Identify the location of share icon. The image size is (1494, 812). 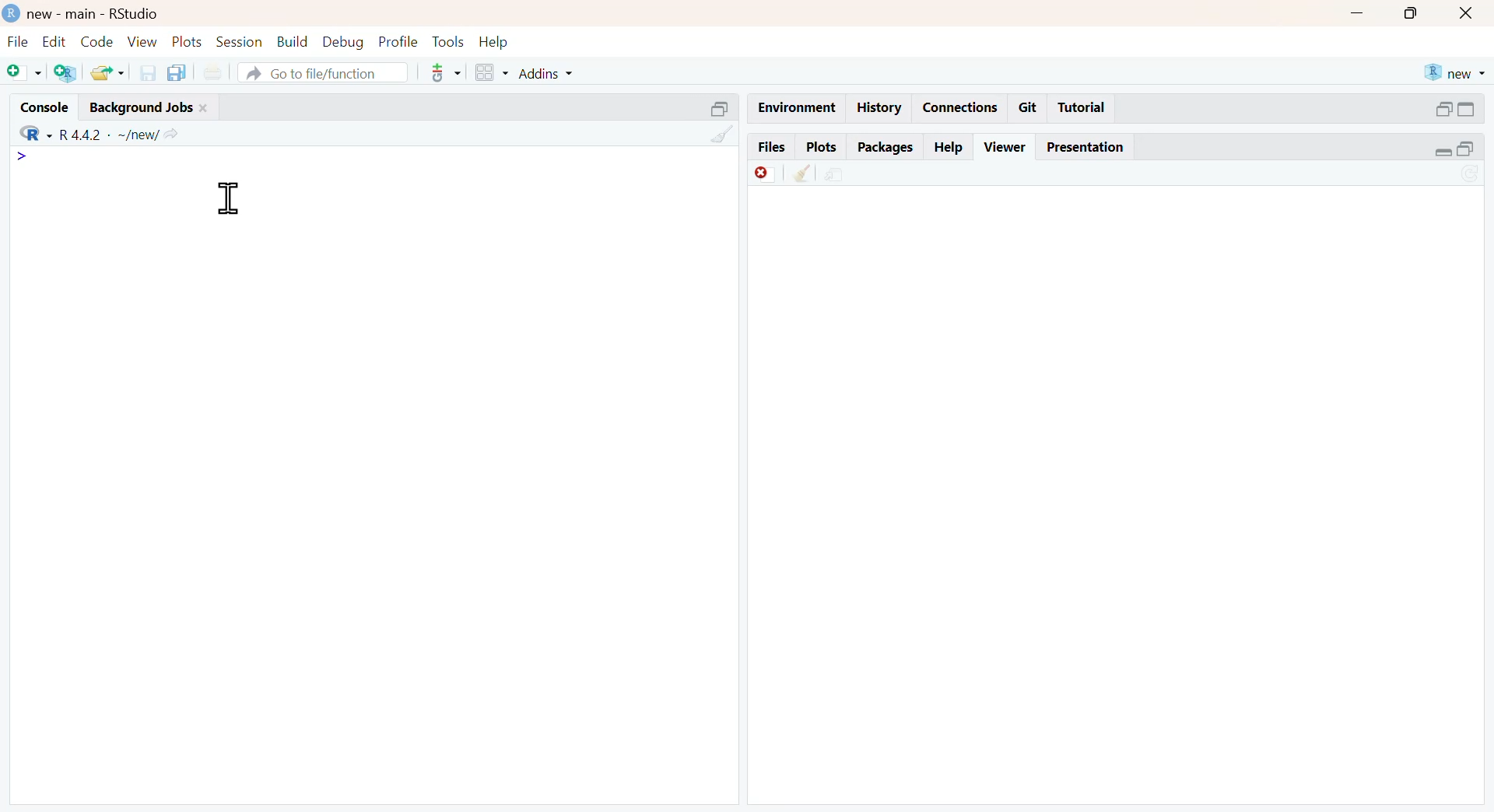
(171, 135).